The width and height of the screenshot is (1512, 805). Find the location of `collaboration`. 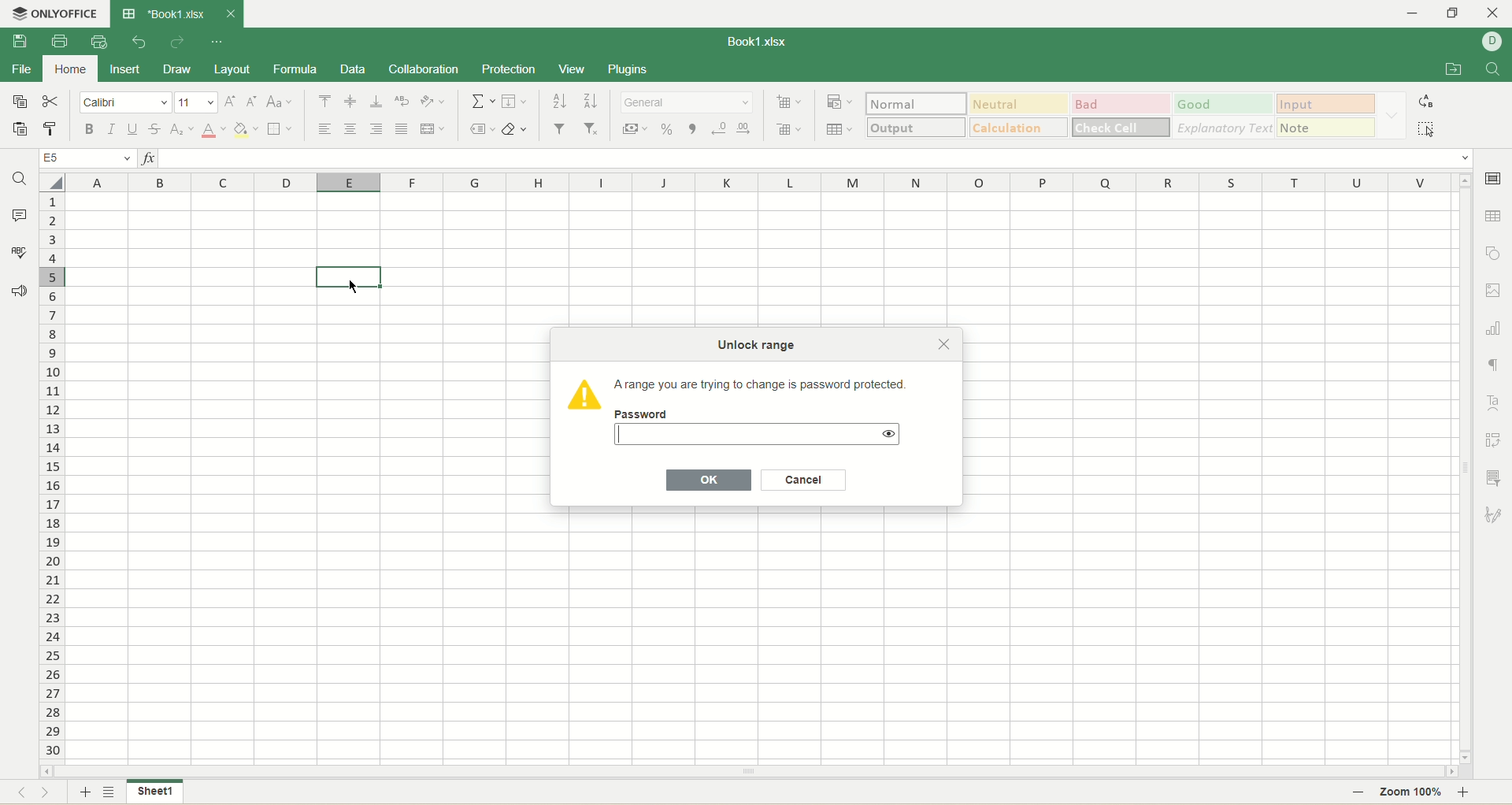

collaboration is located at coordinates (424, 69).